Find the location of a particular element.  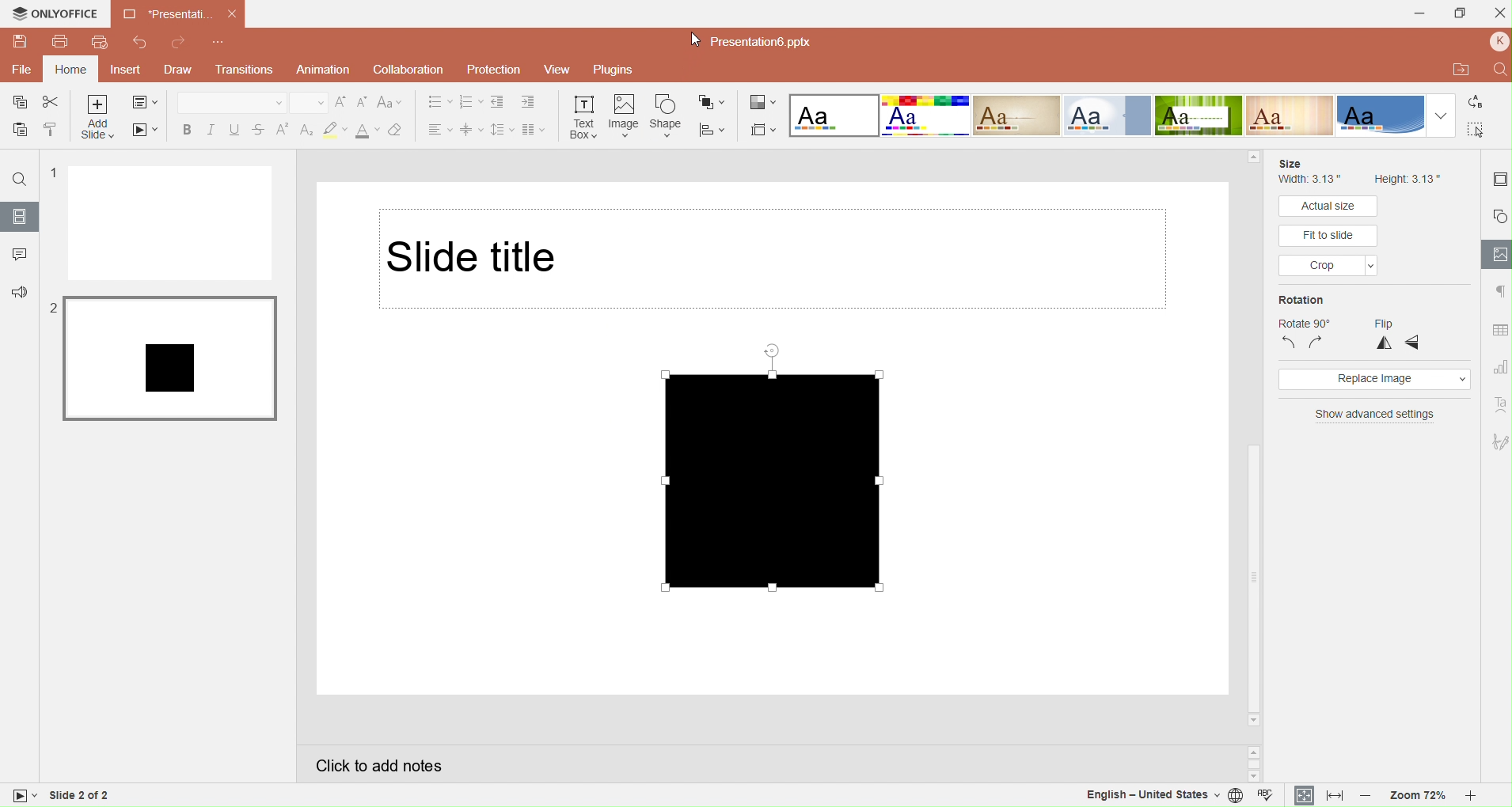

Animation is located at coordinates (323, 71).